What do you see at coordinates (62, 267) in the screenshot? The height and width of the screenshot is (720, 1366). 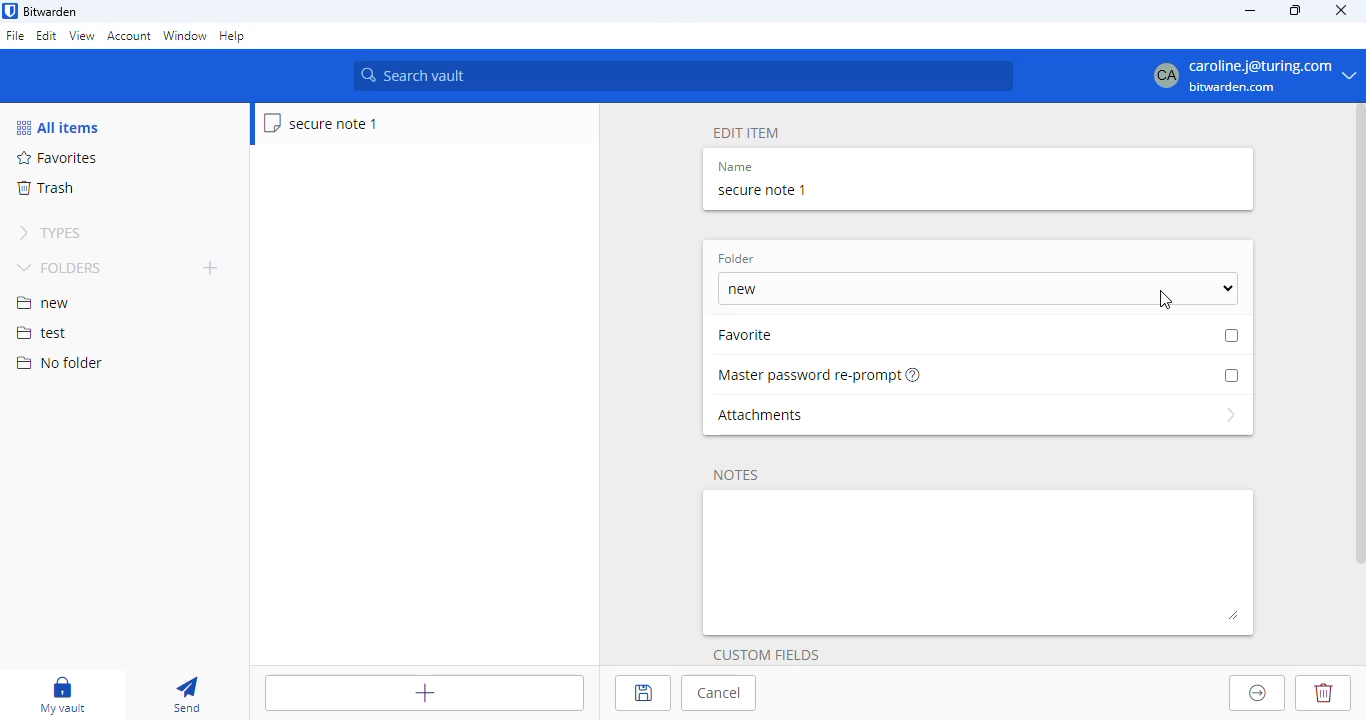 I see `folders` at bounding box center [62, 267].